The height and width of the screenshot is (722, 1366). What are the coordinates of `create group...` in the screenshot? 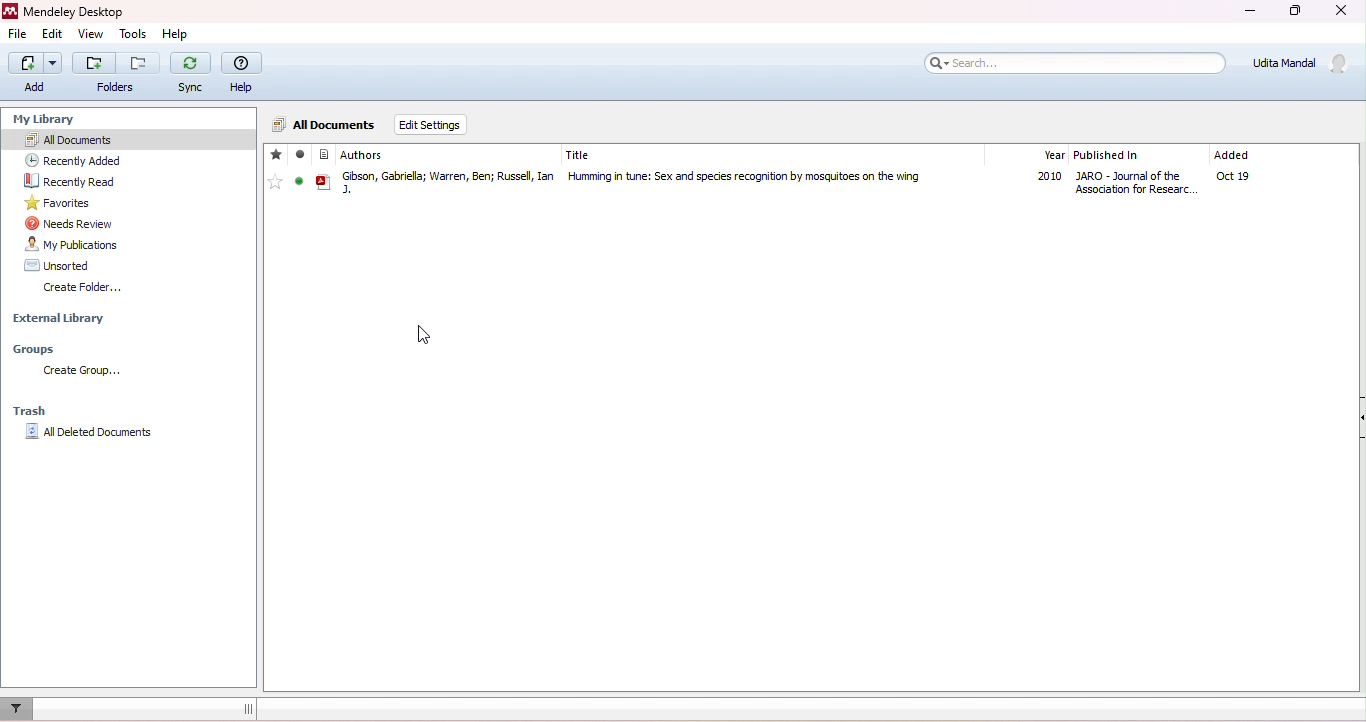 It's located at (86, 372).